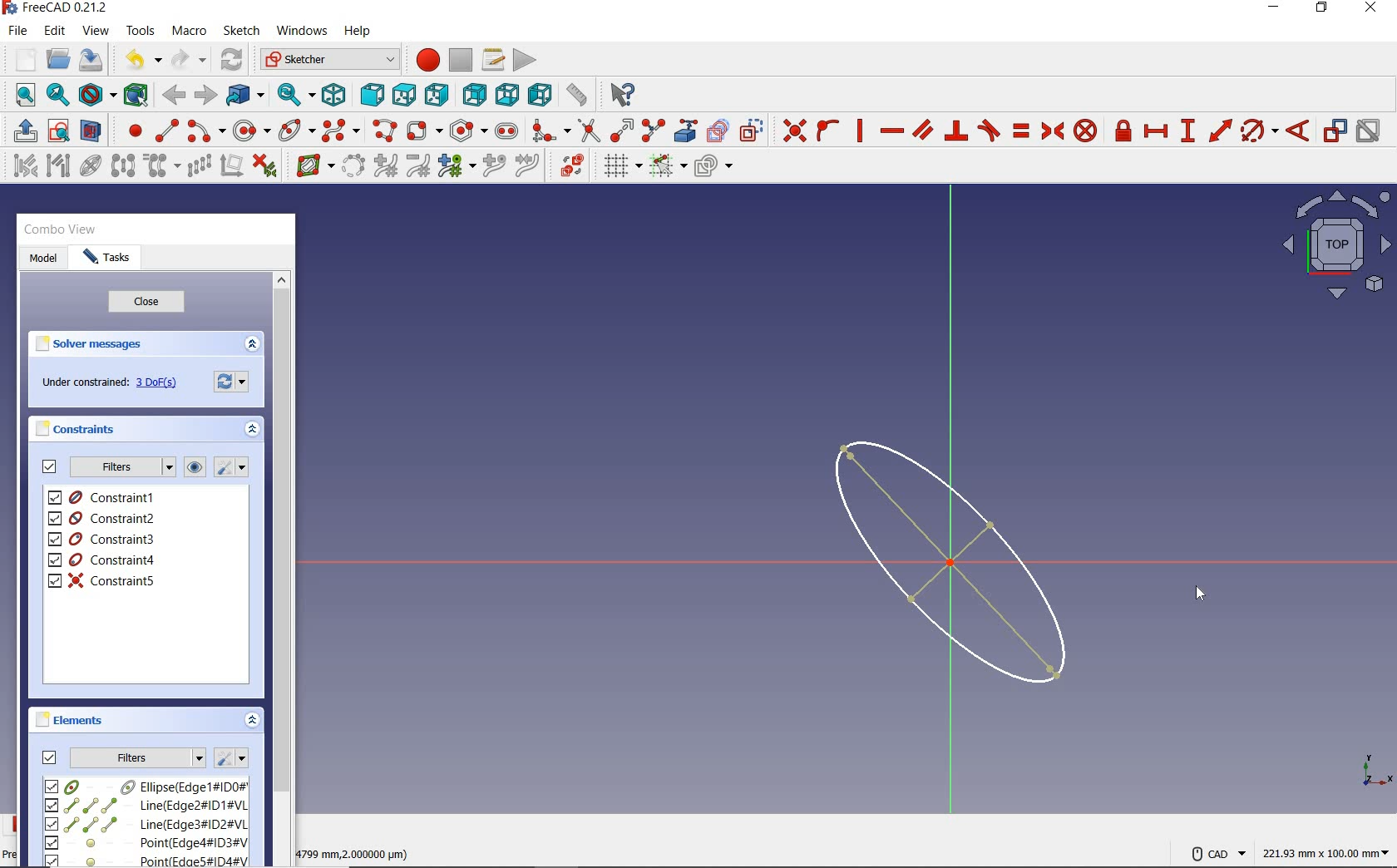 This screenshot has height=868, width=1397. Describe the element at coordinates (281, 567) in the screenshot. I see `scrollbar` at that location.